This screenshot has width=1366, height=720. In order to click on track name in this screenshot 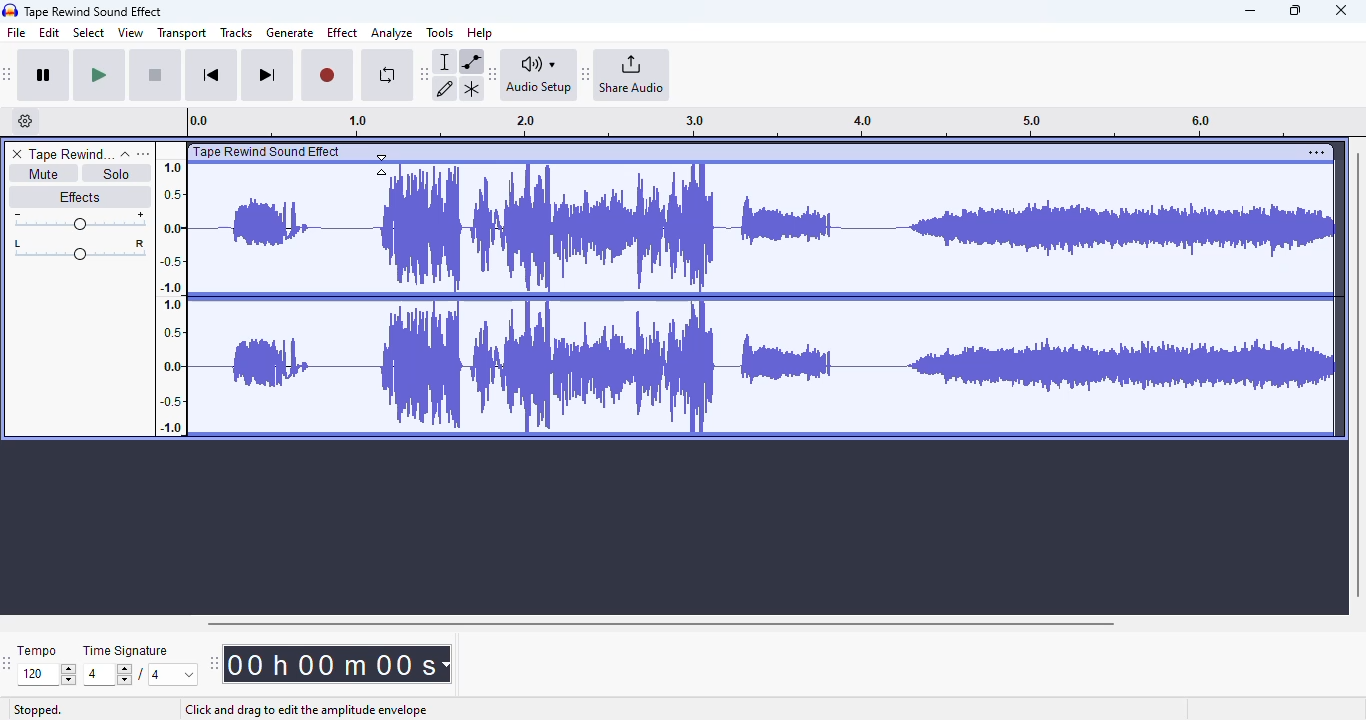, I will do `click(71, 155)`.